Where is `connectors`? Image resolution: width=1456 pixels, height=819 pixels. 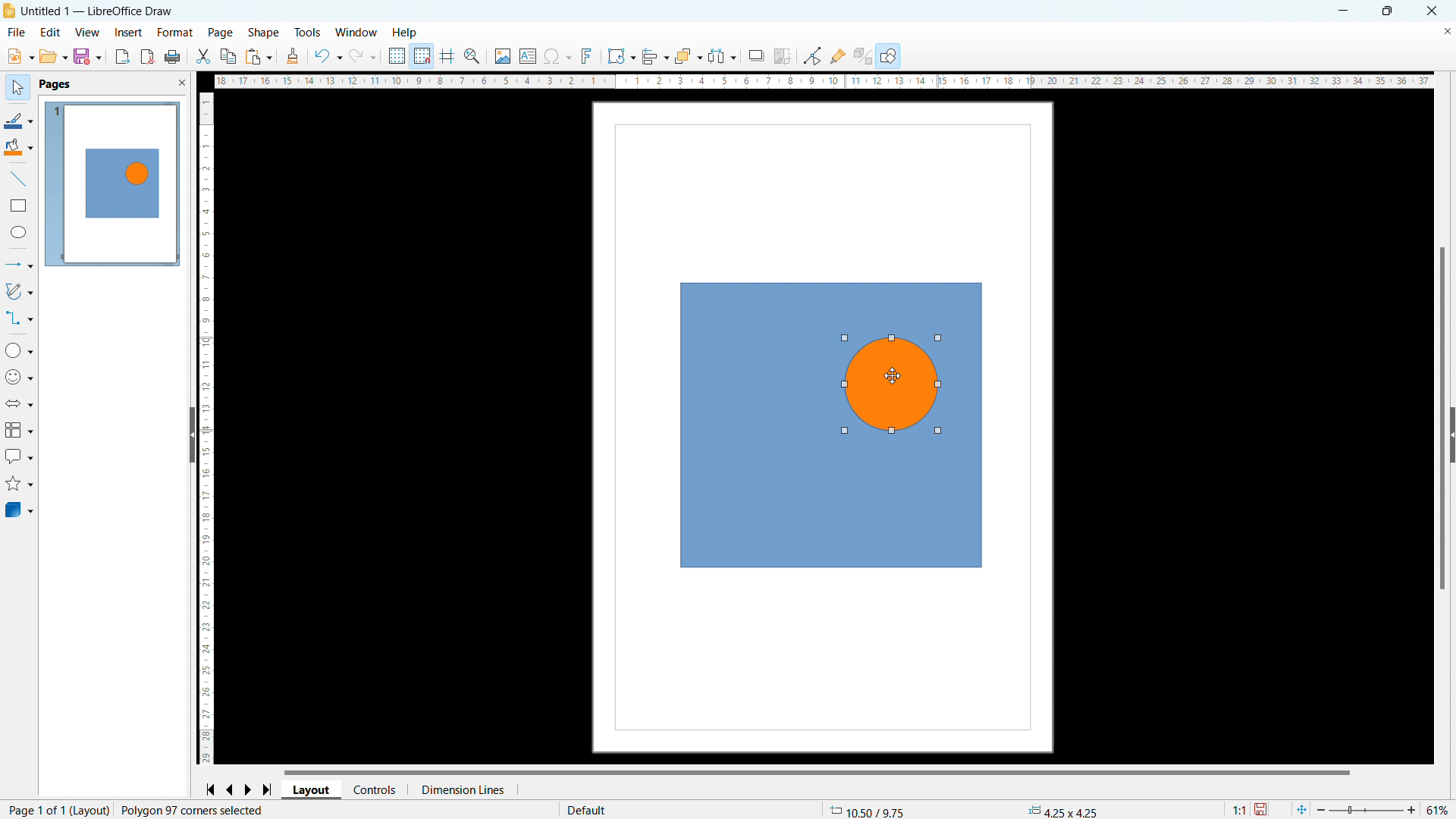
connectors is located at coordinates (19, 318).